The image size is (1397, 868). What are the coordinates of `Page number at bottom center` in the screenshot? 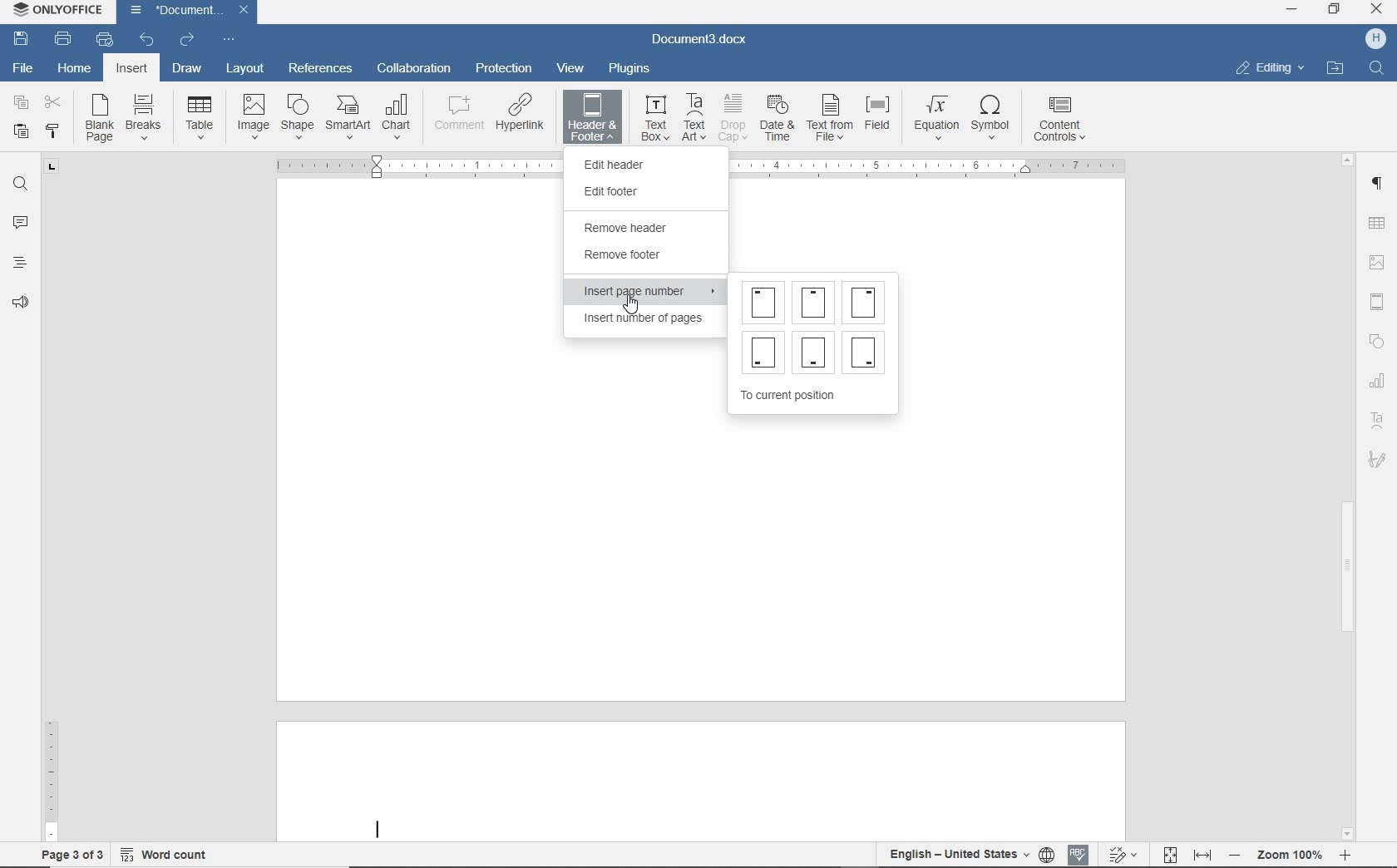 It's located at (814, 352).